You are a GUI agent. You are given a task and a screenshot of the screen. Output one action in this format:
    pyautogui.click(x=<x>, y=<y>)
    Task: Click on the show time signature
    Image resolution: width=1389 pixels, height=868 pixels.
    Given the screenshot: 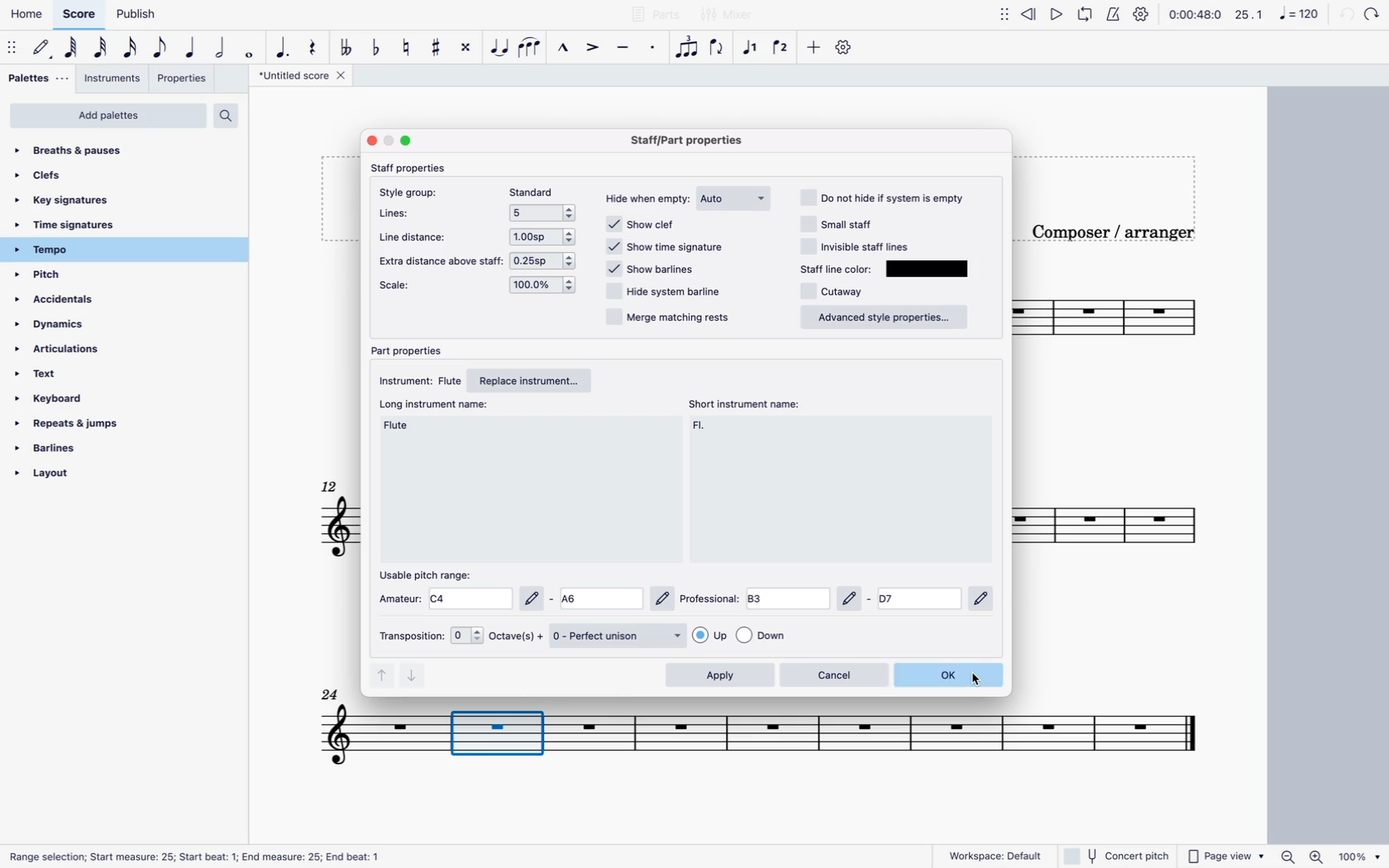 What is the action you would take?
    pyautogui.click(x=670, y=246)
    